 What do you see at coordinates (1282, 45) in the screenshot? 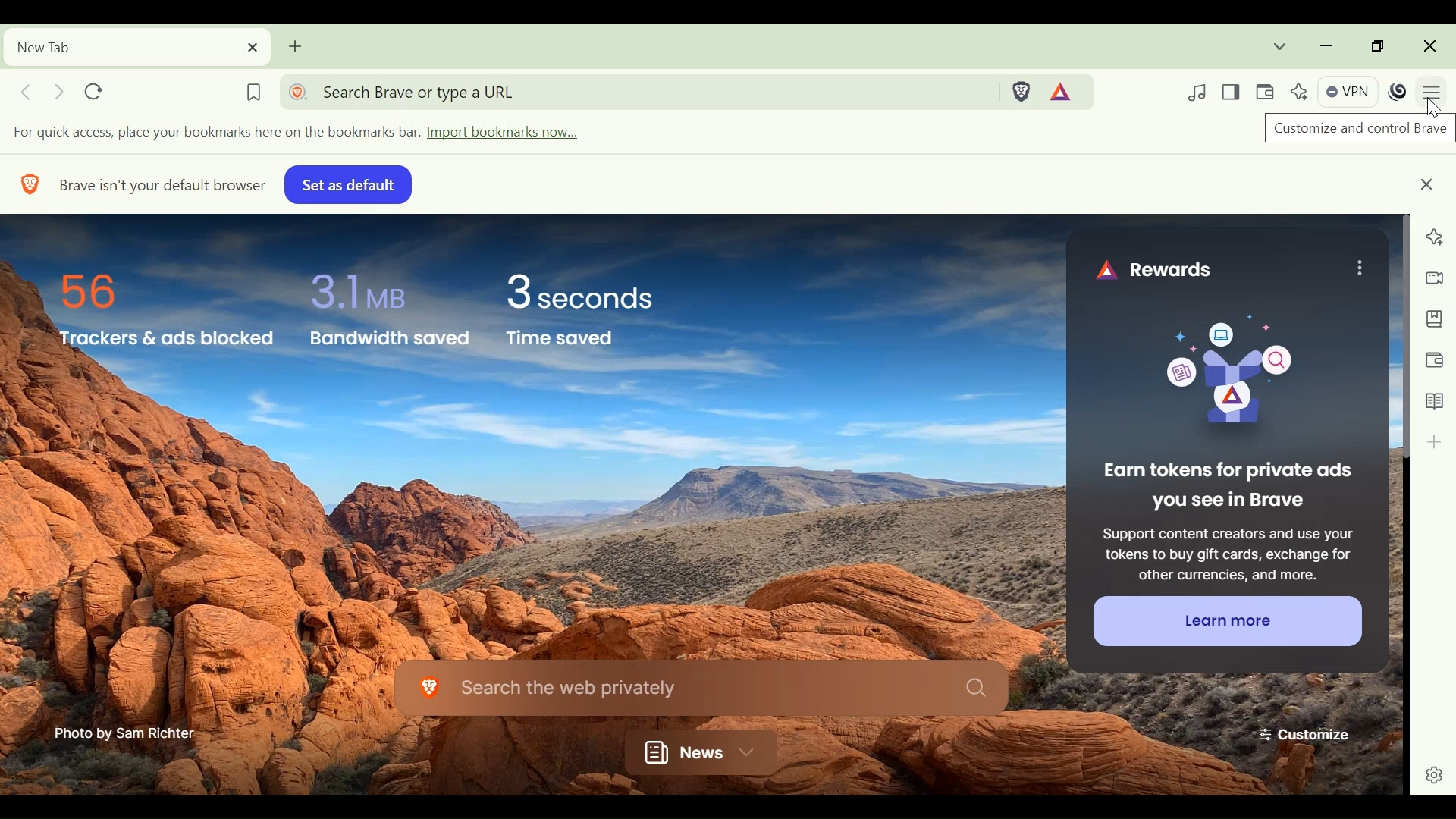
I see `Search tabs` at bounding box center [1282, 45].